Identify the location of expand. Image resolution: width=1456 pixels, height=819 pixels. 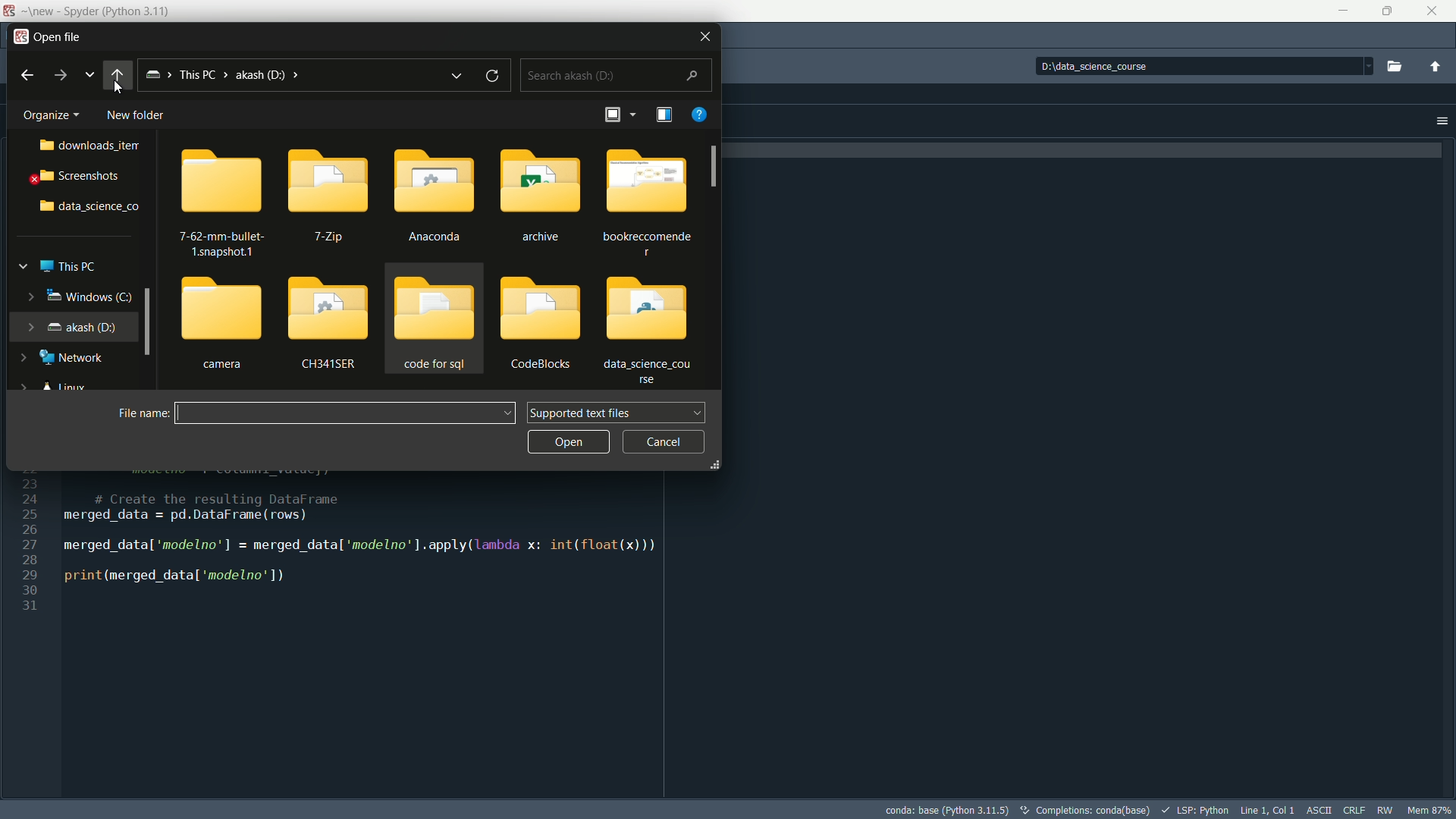
(29, 326).